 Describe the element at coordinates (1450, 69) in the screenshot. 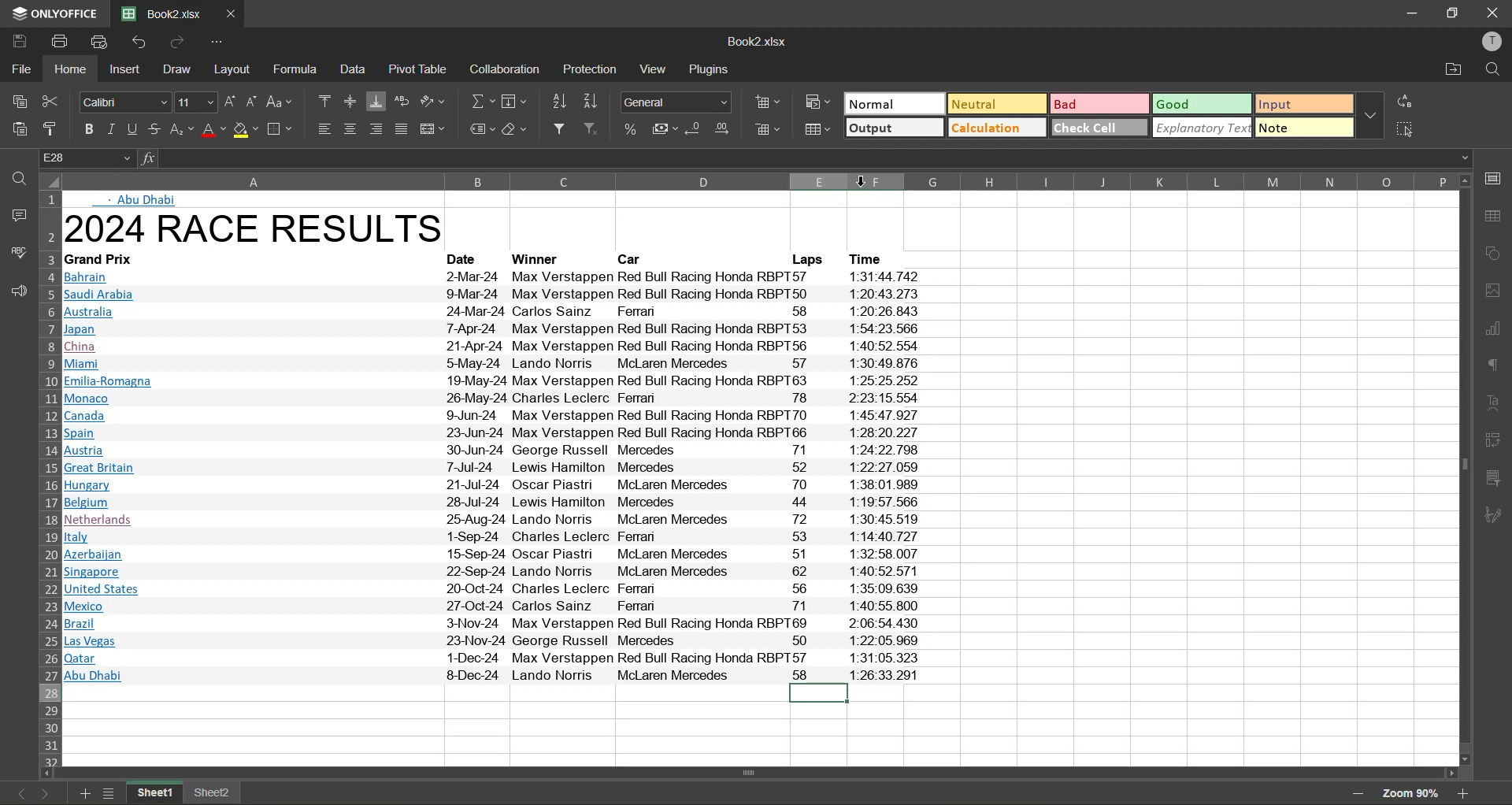

I see `open location` at that location.